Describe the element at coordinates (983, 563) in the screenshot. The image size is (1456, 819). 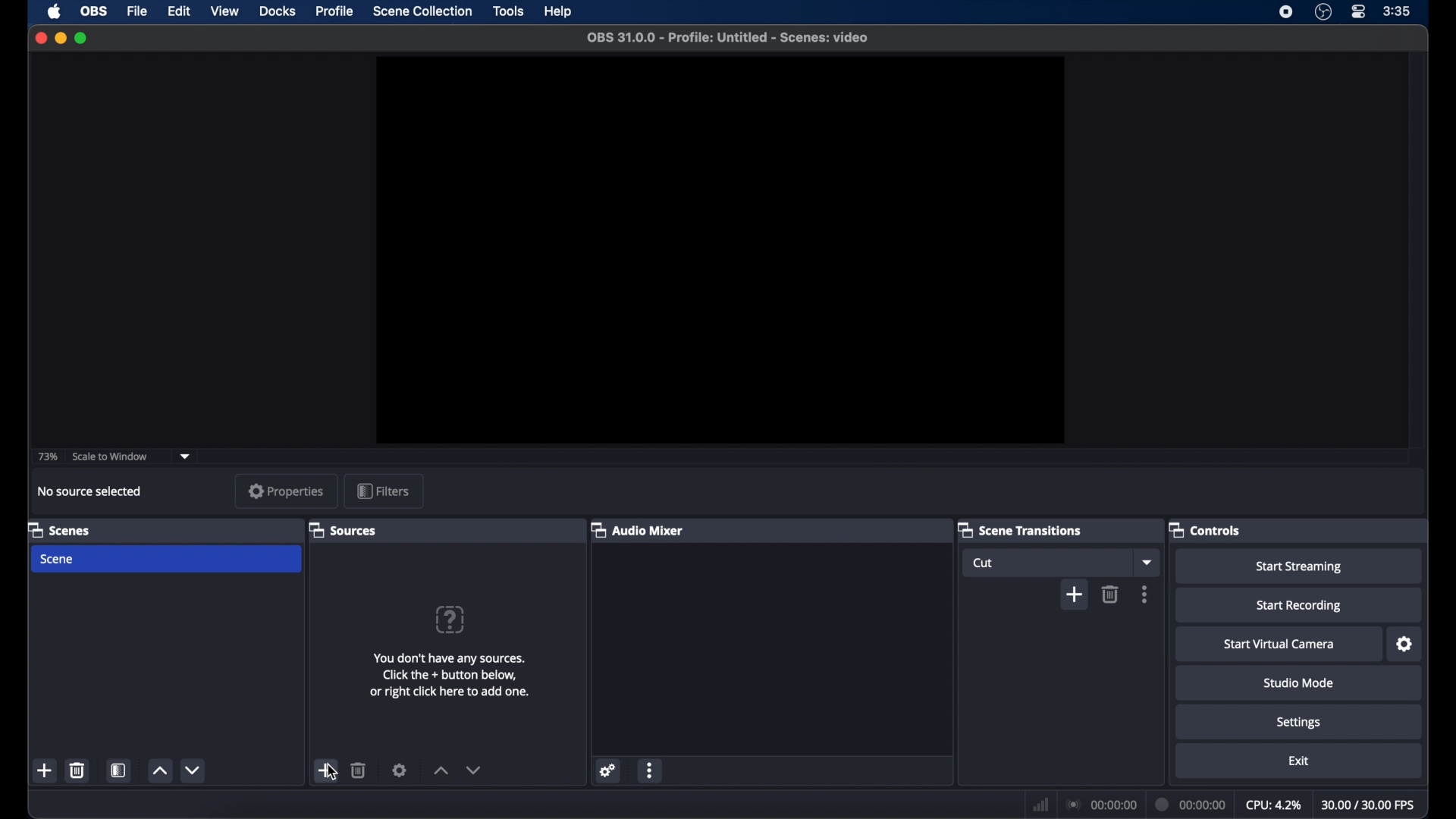
I see `cut` at that location.